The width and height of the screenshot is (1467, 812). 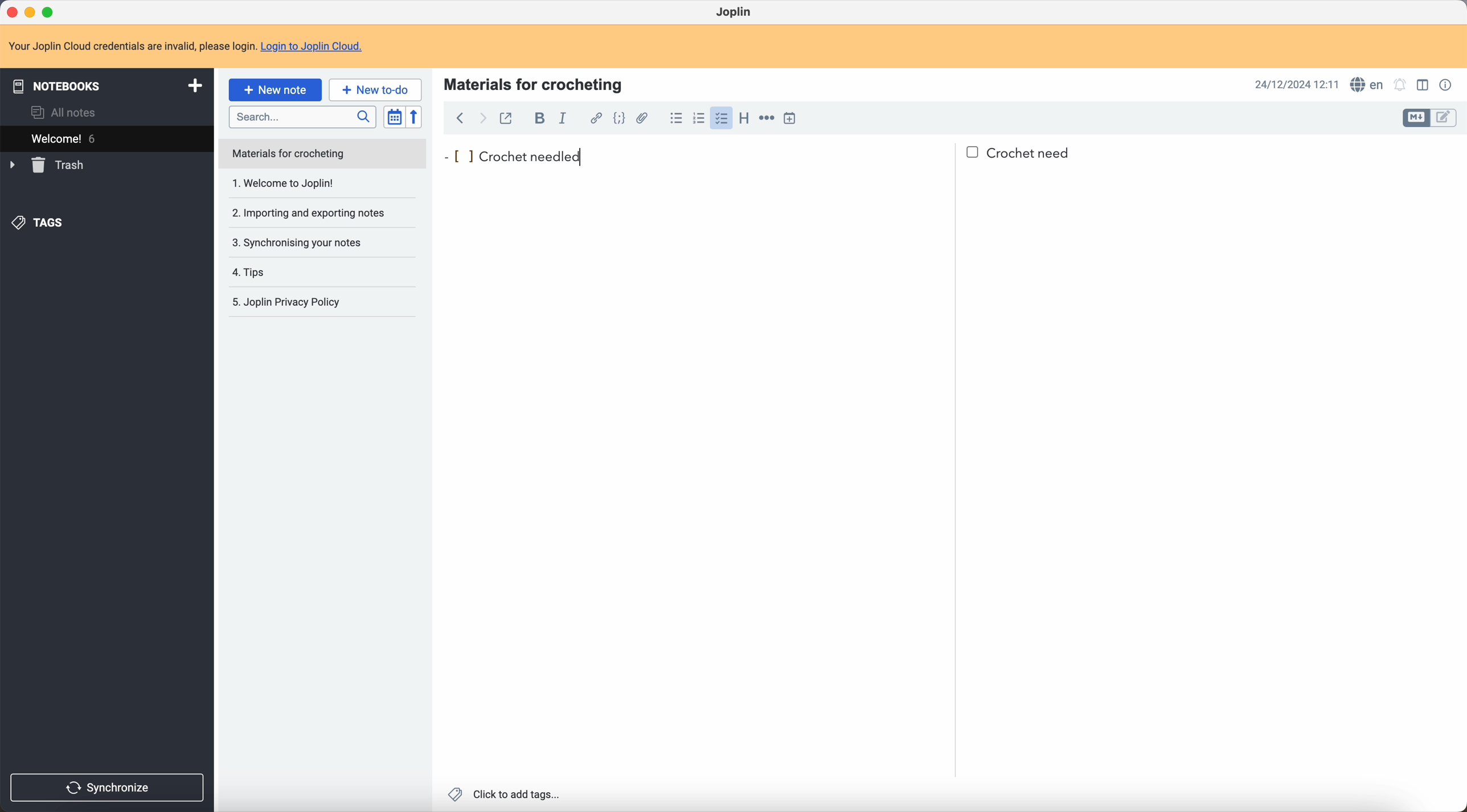 What do you see at coordinates (1365, 84) in the screenshot?
I see `spell checker` at bounding box center [1365, 84].